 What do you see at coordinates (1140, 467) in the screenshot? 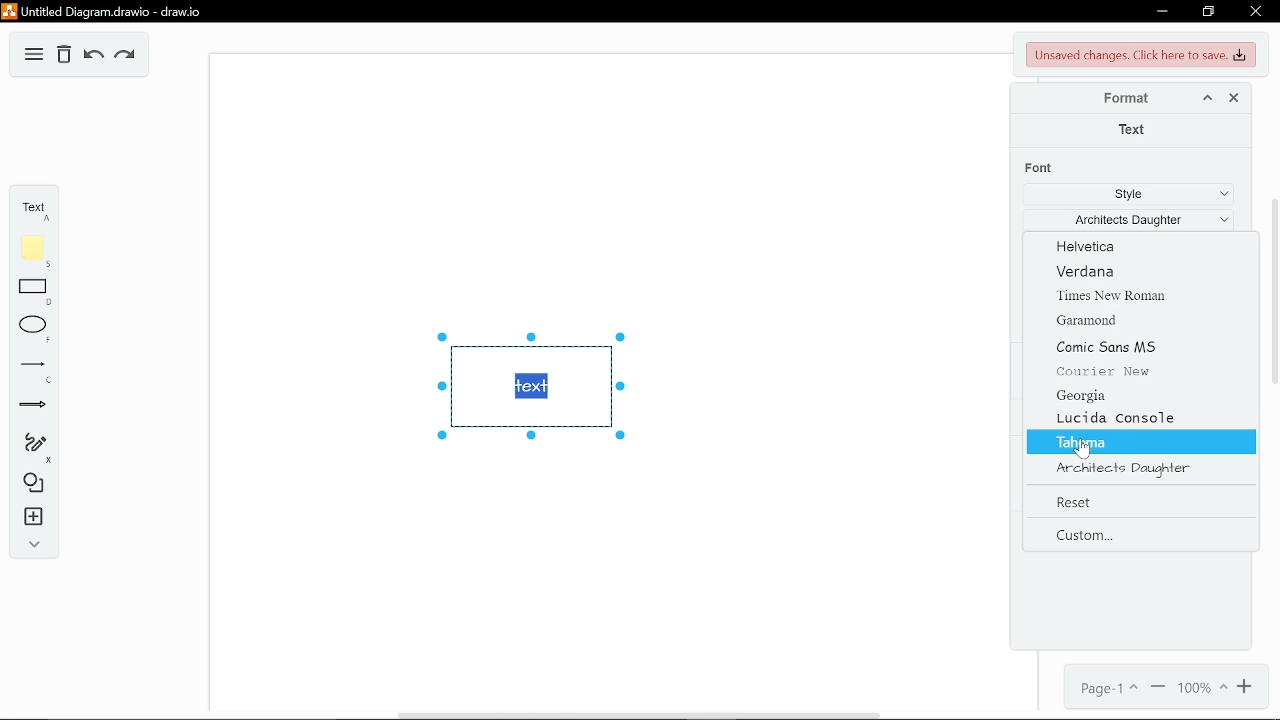
I see `architects daughter` at bounding box center [1140, 467].